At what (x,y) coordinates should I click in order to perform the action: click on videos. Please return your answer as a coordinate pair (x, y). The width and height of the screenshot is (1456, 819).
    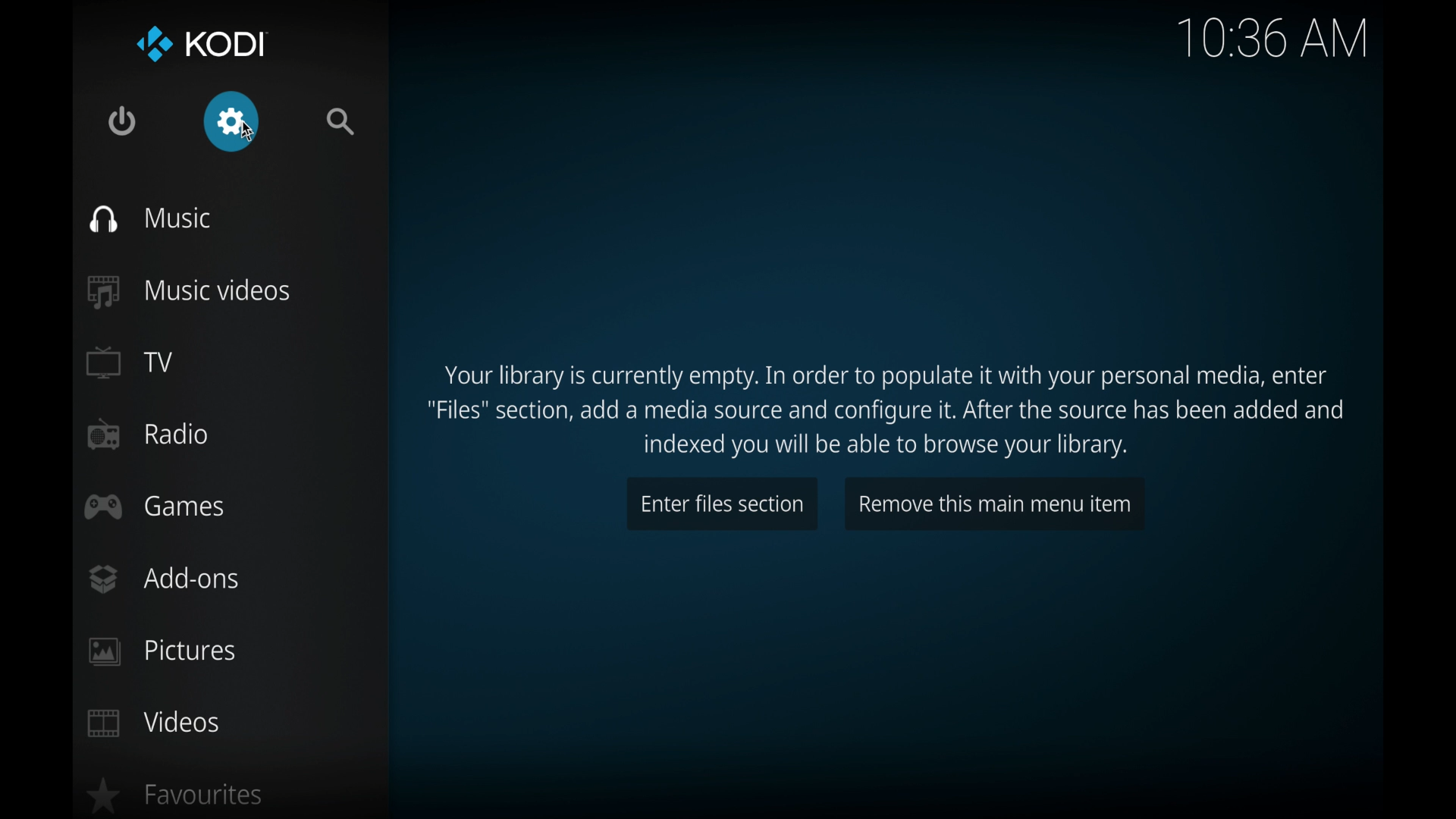
    Looking at the image, I should click on (153, 723).